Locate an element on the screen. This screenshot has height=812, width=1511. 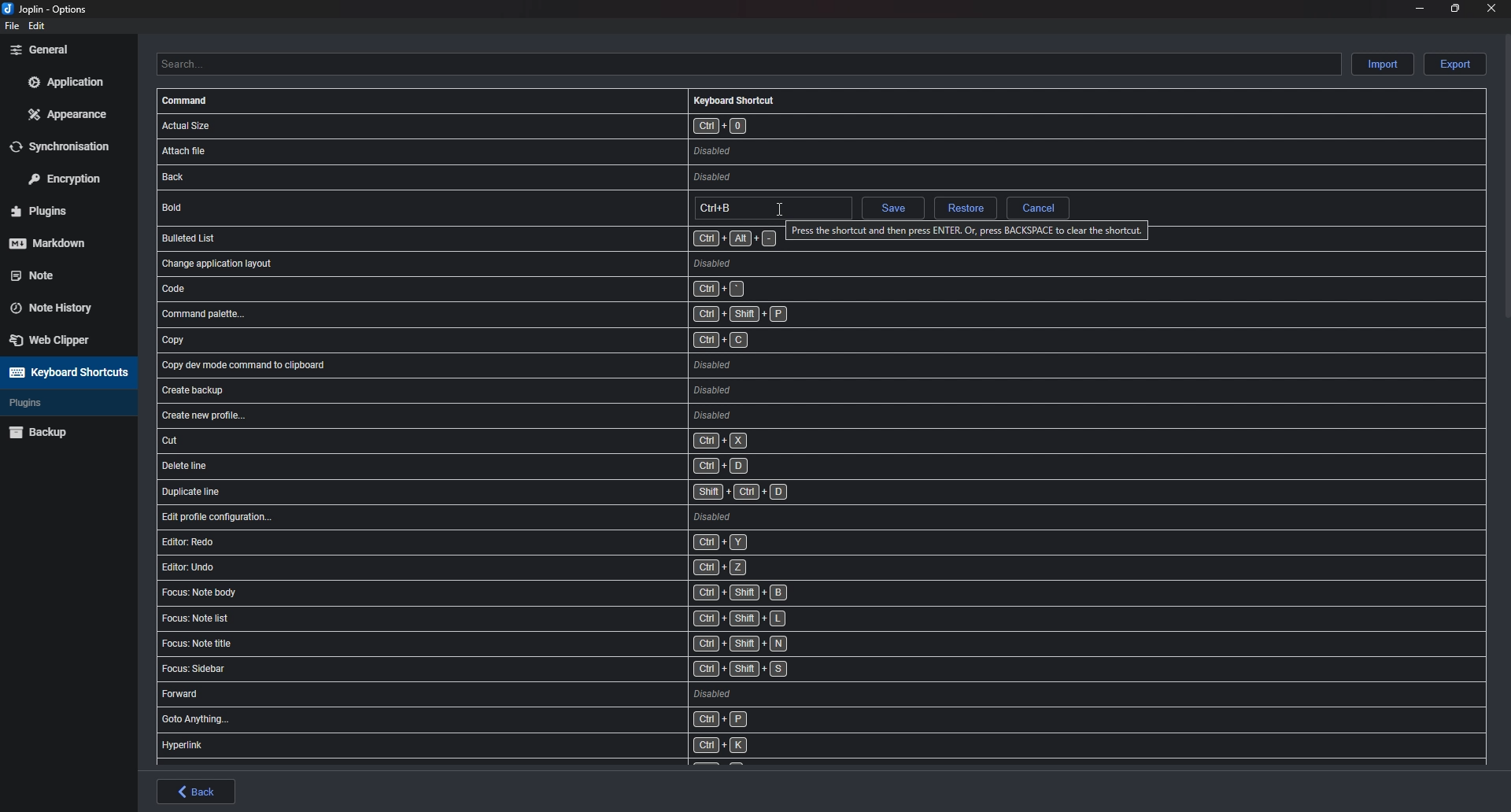
Back up is located at coordinates (65, 431).